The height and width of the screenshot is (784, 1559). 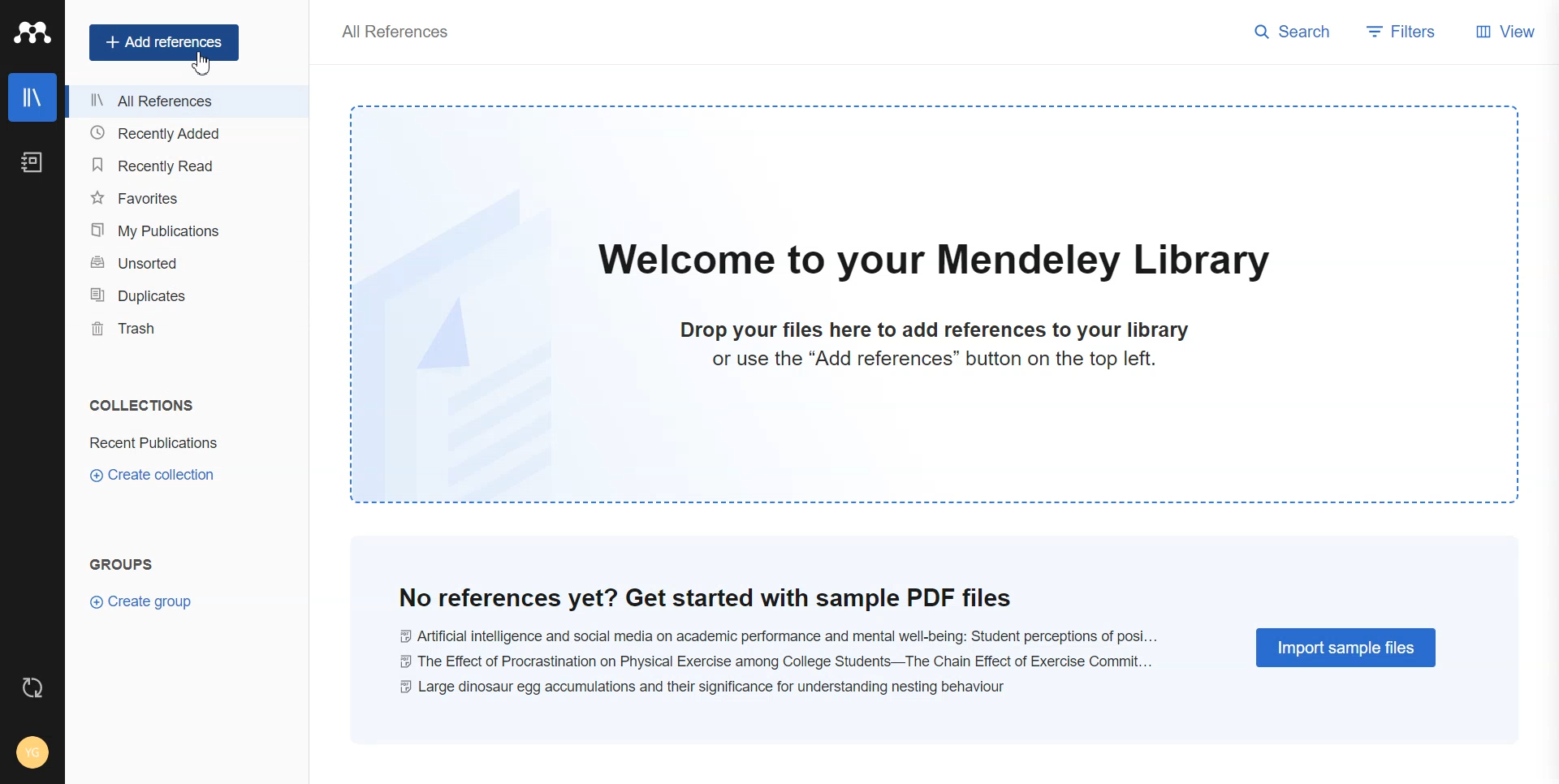 What do you see at coordinates (154, 443) in the screenshot?
I see `Recent Publications` at bounding box center [154, 443].